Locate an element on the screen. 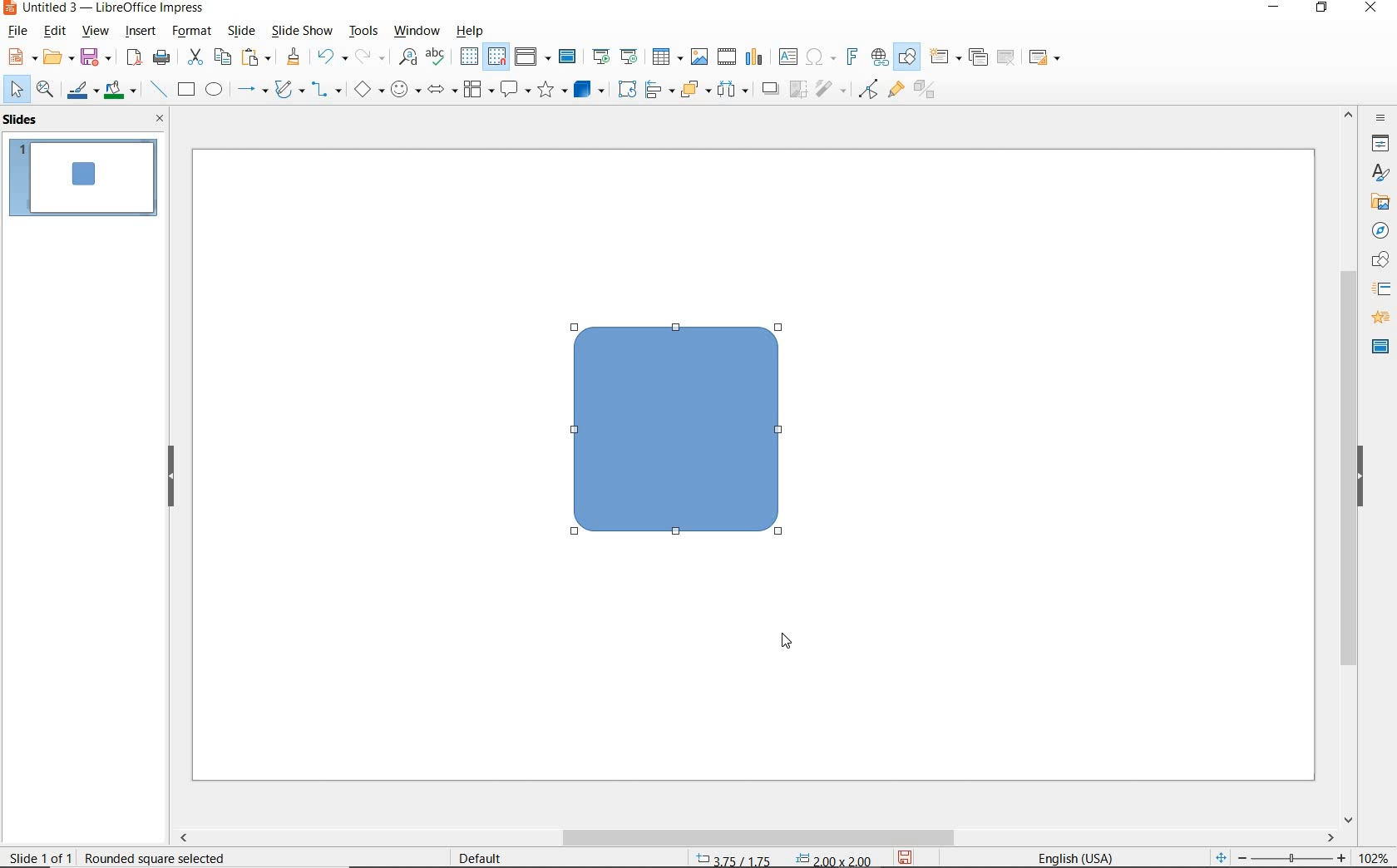 The image size is (1397, 868). view is located at coordinates (95, 31).